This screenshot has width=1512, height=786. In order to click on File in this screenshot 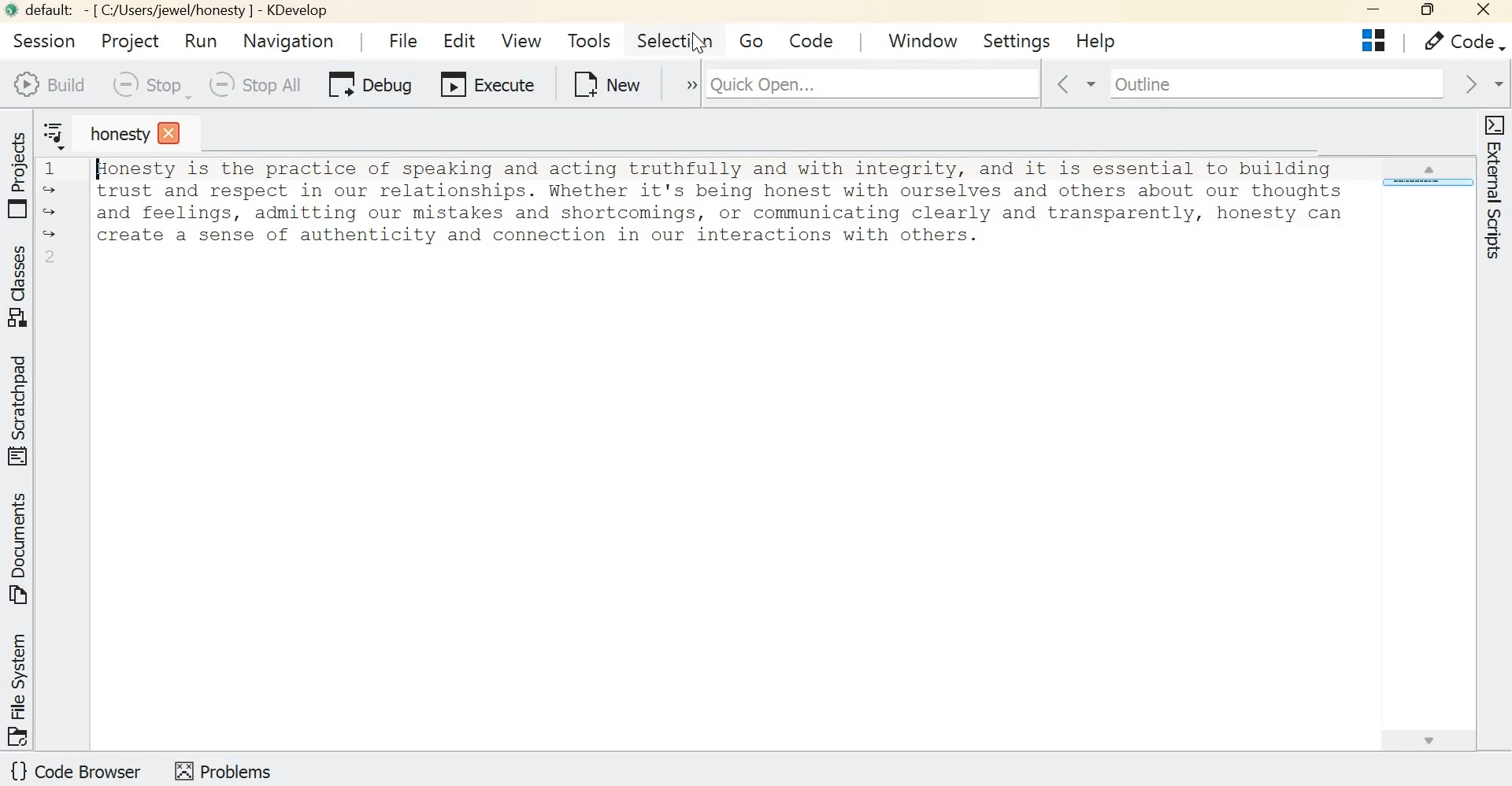, I will do `click(399, 39)`.